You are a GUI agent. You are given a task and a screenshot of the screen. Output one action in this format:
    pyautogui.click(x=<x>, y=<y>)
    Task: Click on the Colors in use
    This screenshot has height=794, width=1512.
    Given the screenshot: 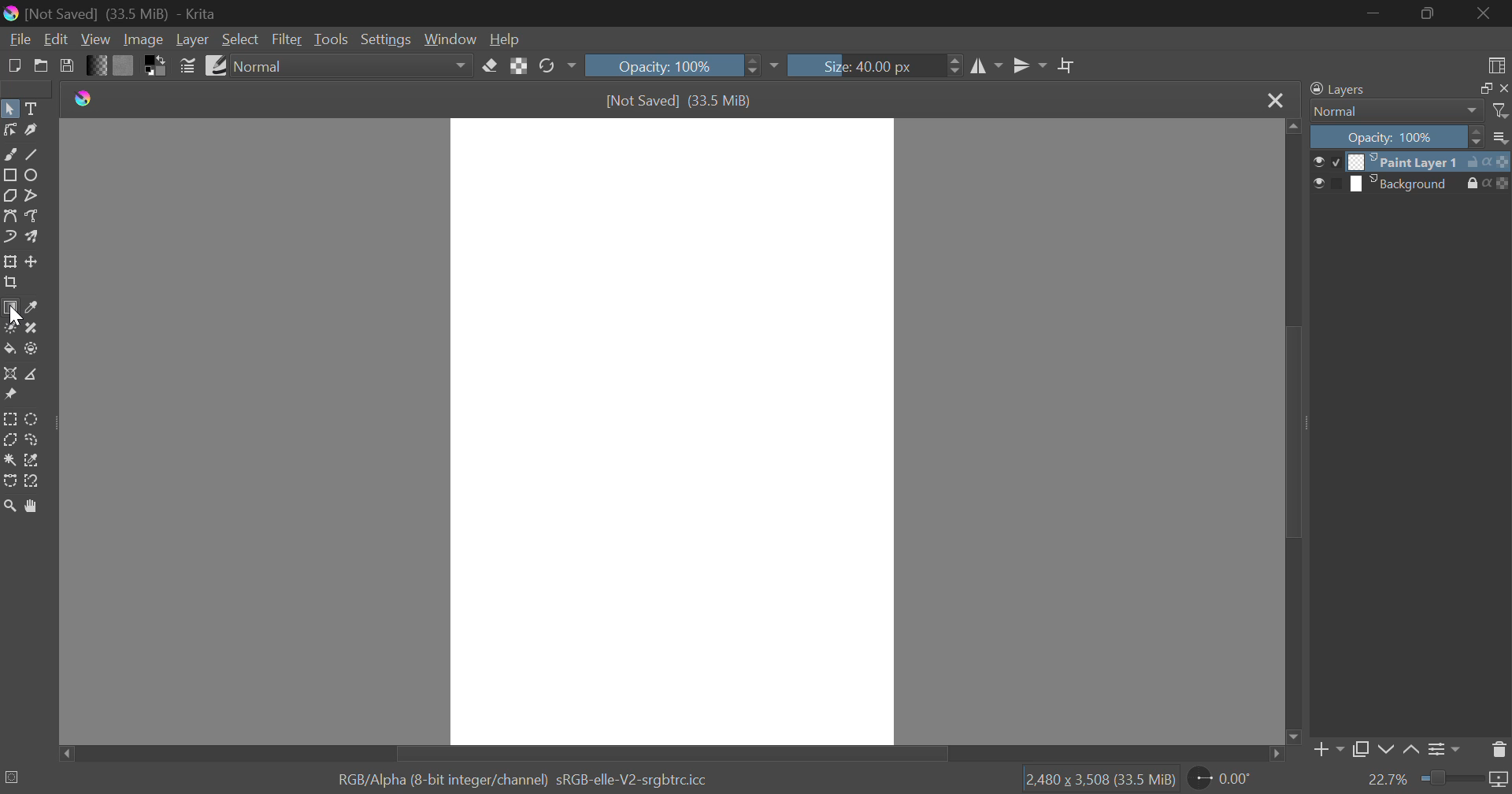 What is the action you would take?
    pyautogui.click(x=156, y=65)
    